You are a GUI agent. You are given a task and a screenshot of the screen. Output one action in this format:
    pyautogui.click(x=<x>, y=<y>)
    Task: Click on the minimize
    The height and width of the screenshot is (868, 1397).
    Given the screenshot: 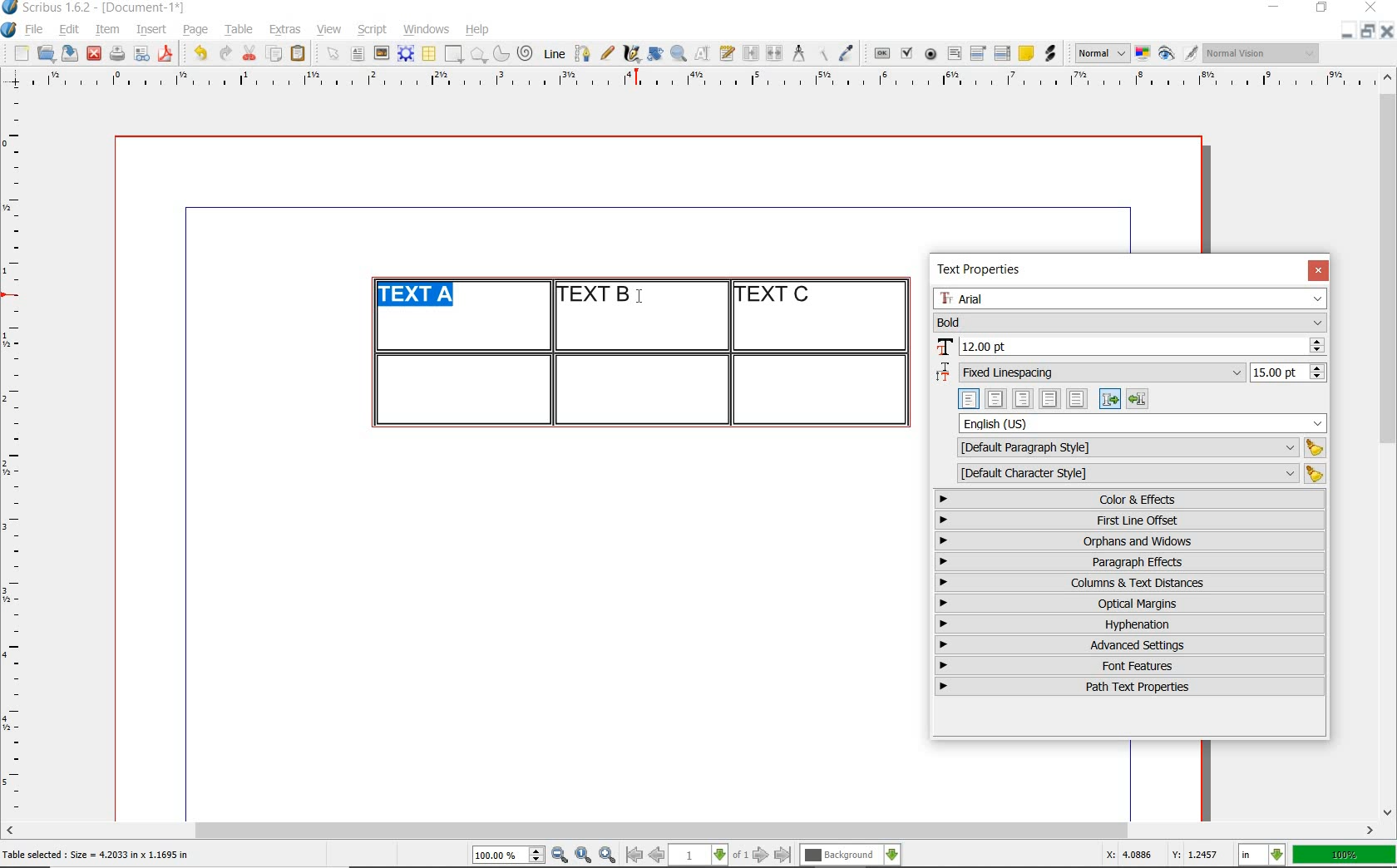 What is the action you would take?
    pyautogui.click(x=1348, y=30)
    